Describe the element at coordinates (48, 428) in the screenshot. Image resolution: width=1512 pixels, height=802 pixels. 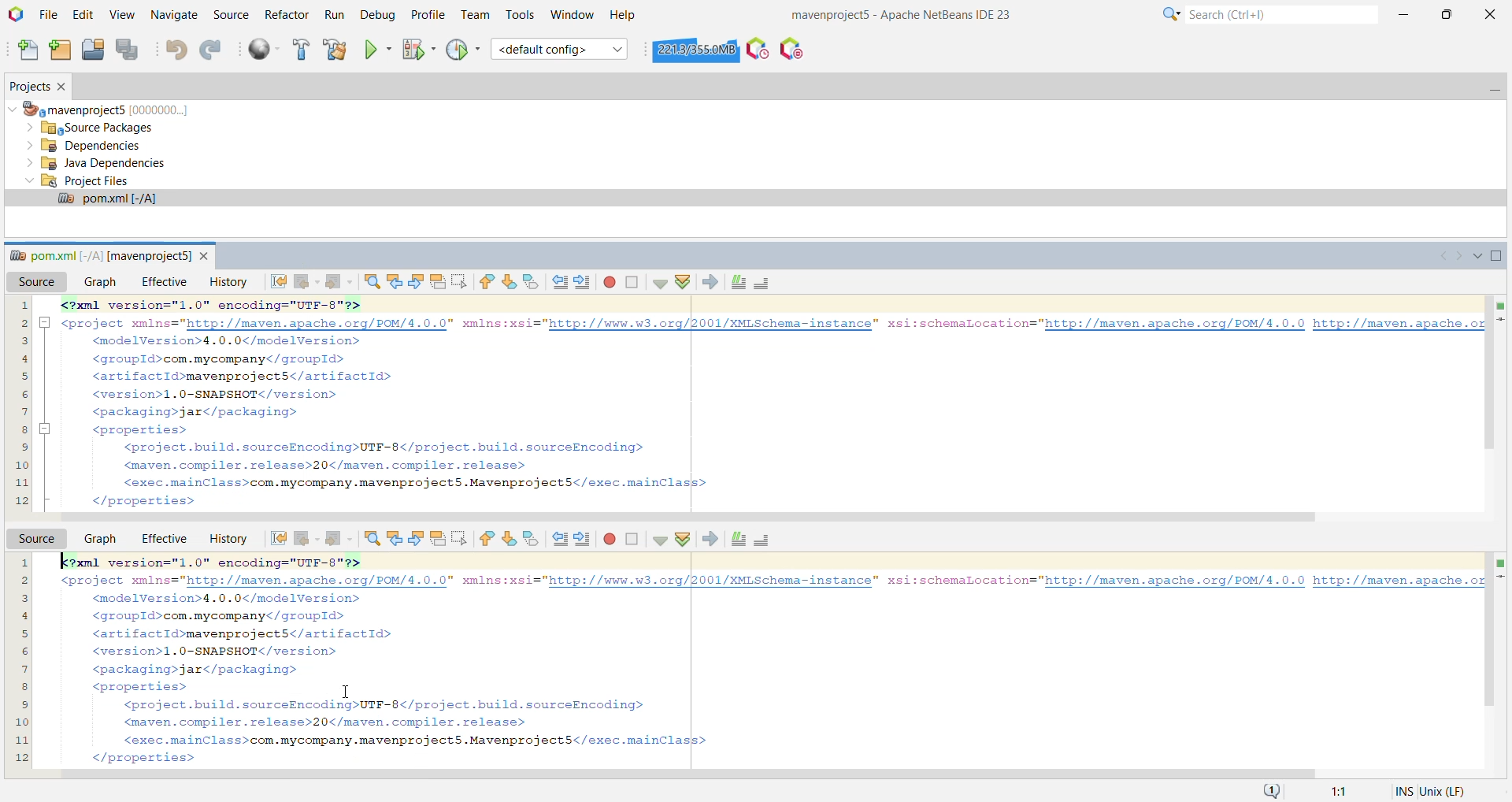
I see `minimise` at that location.